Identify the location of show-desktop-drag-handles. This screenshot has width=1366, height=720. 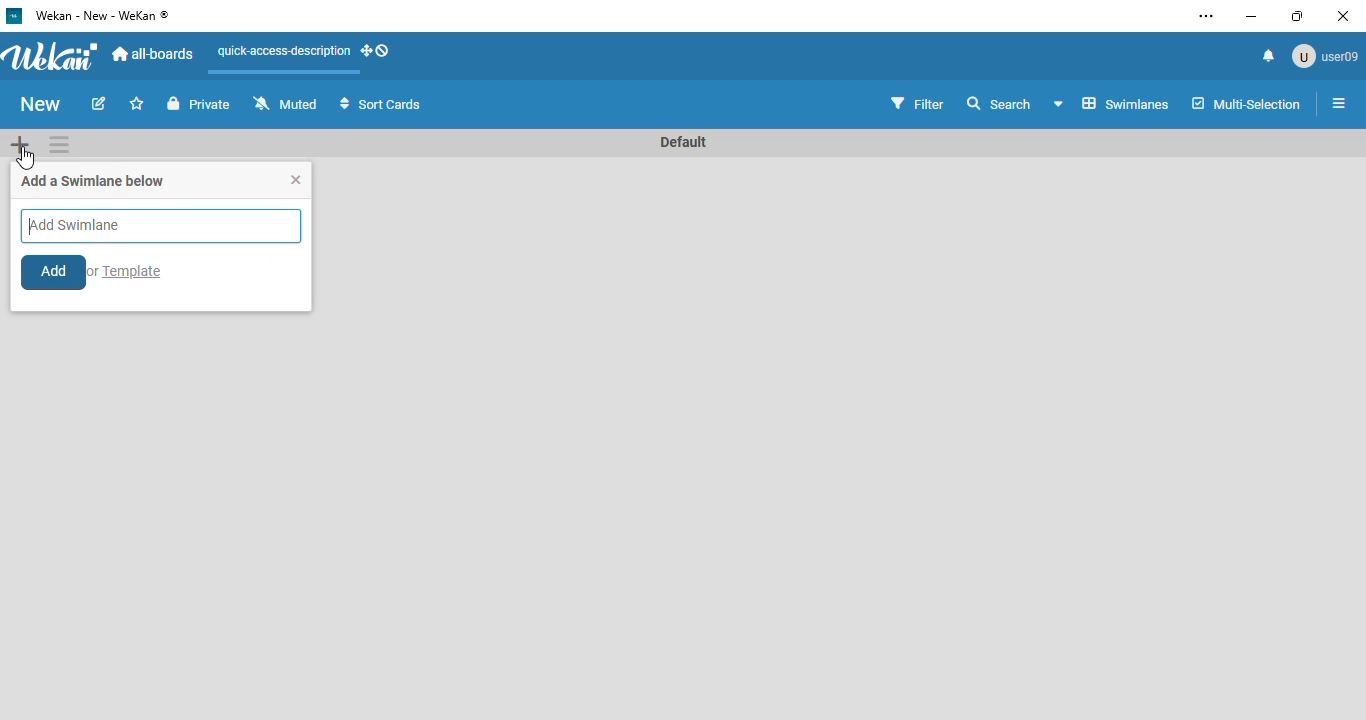
(375, 51).